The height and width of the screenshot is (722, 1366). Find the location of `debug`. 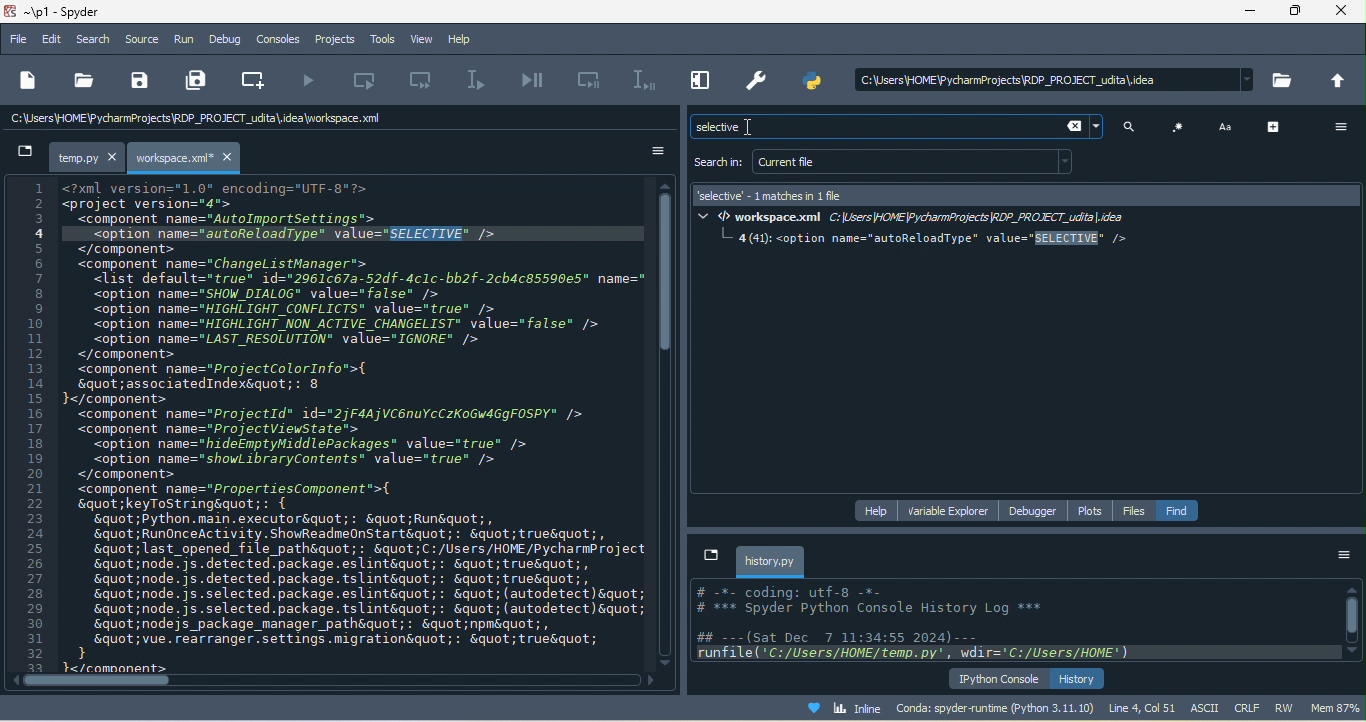

debug is located at coordinates (226, 39).